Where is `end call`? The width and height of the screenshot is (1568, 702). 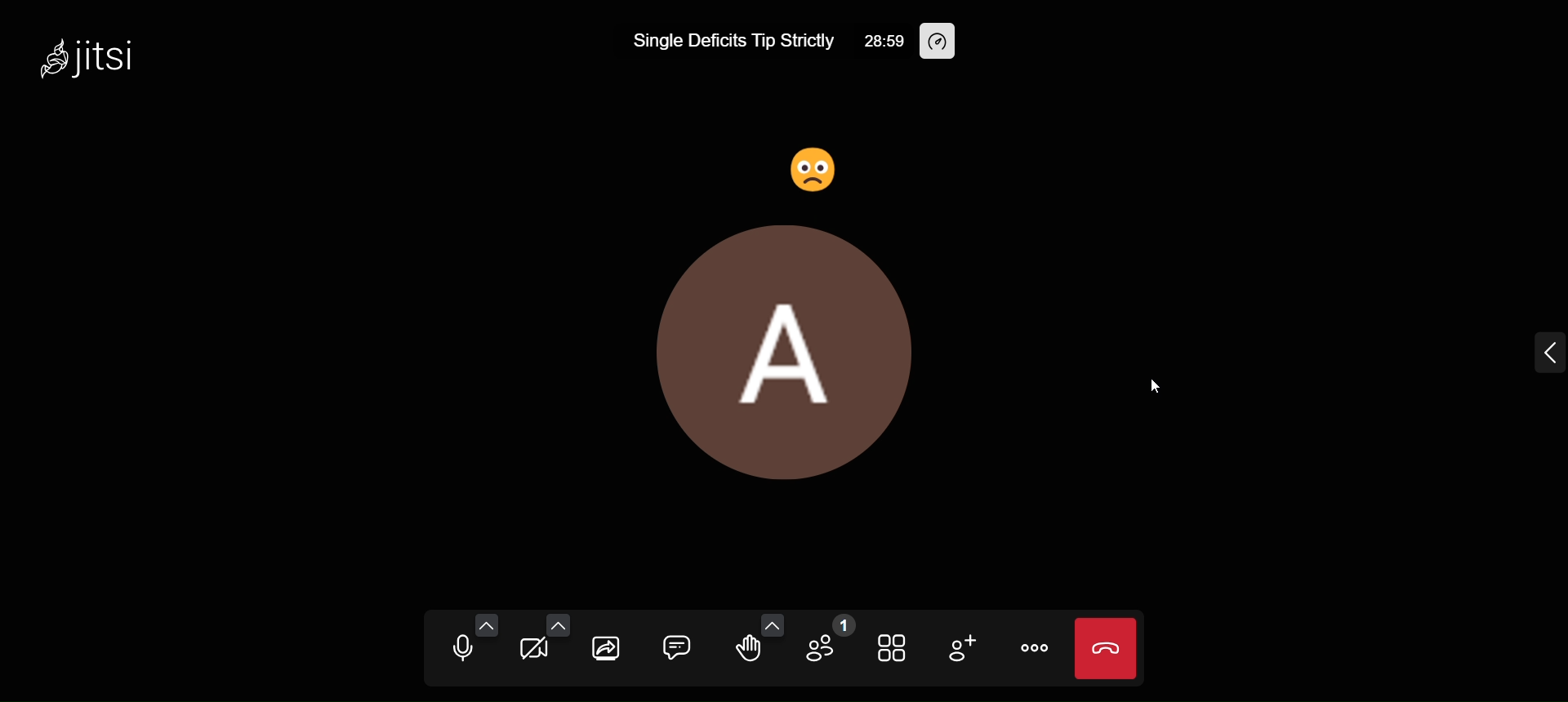
end call is located at coordinates (1107, 647).